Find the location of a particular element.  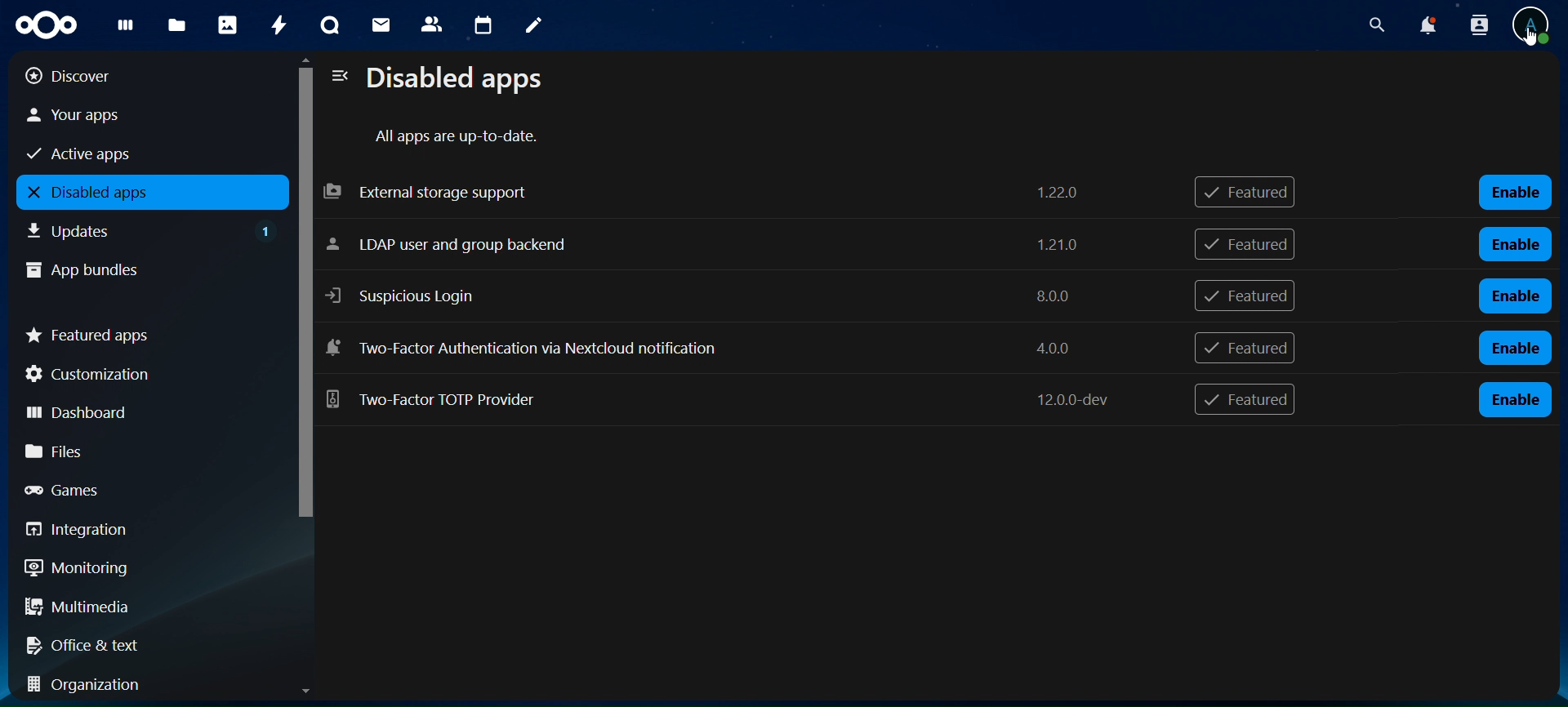

featured is located at coordinates (1245, 243).